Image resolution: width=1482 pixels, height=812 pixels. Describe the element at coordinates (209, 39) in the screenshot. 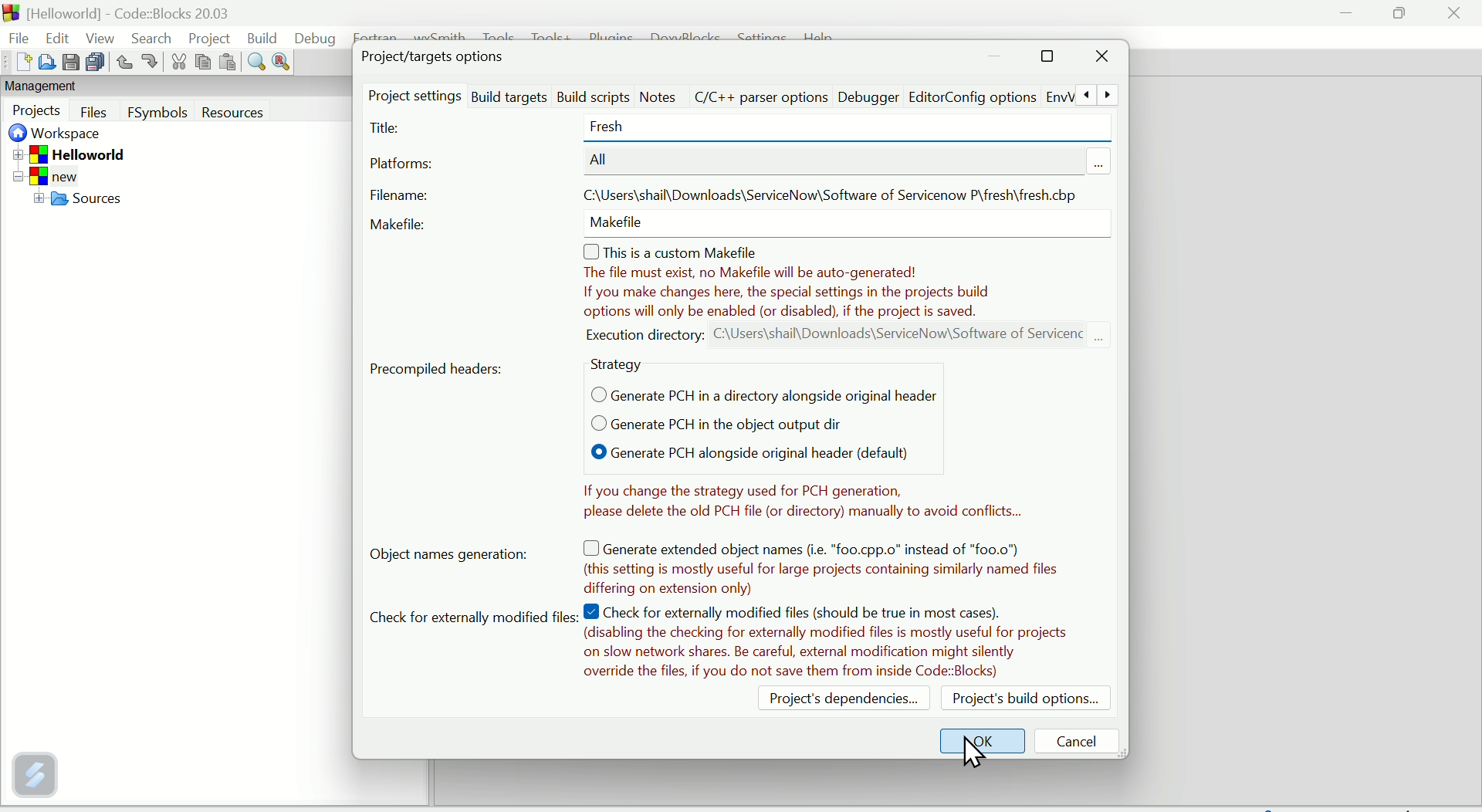

I see `Project` at that location.